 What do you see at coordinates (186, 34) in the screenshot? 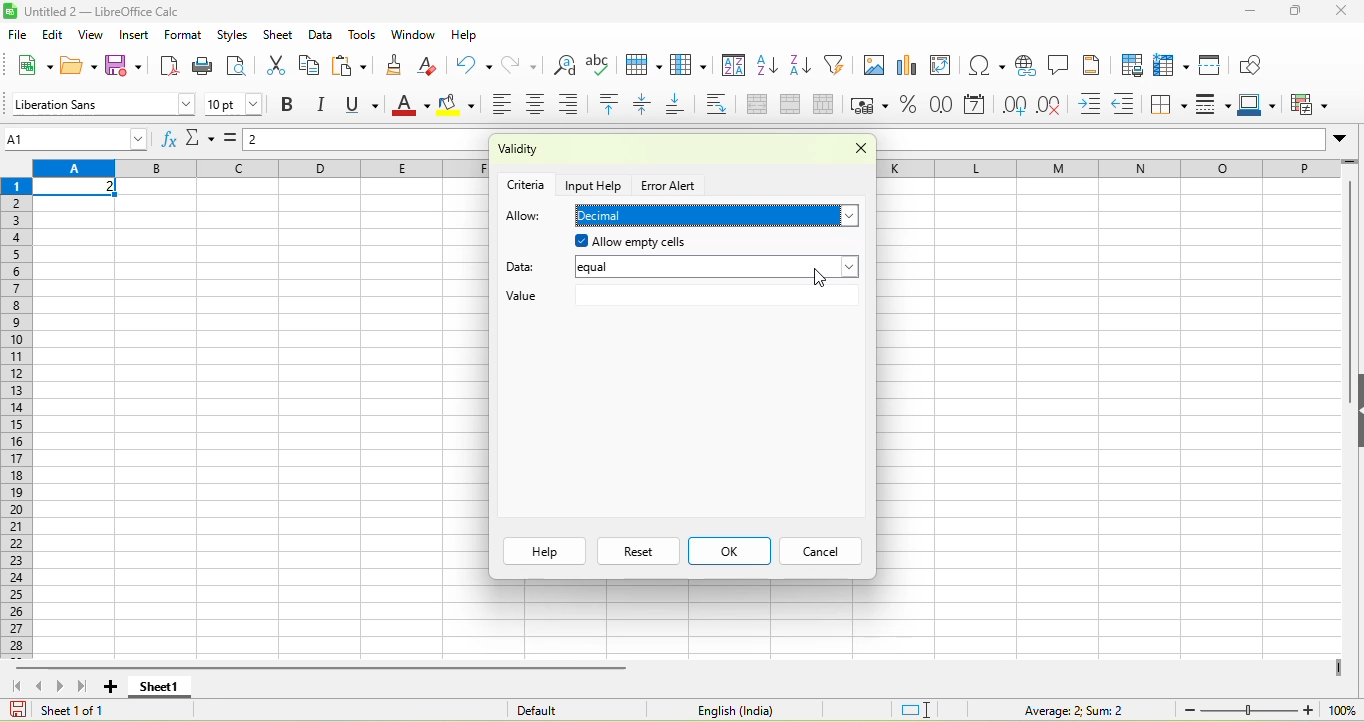
I see `format` at bounding box center [186, 34].